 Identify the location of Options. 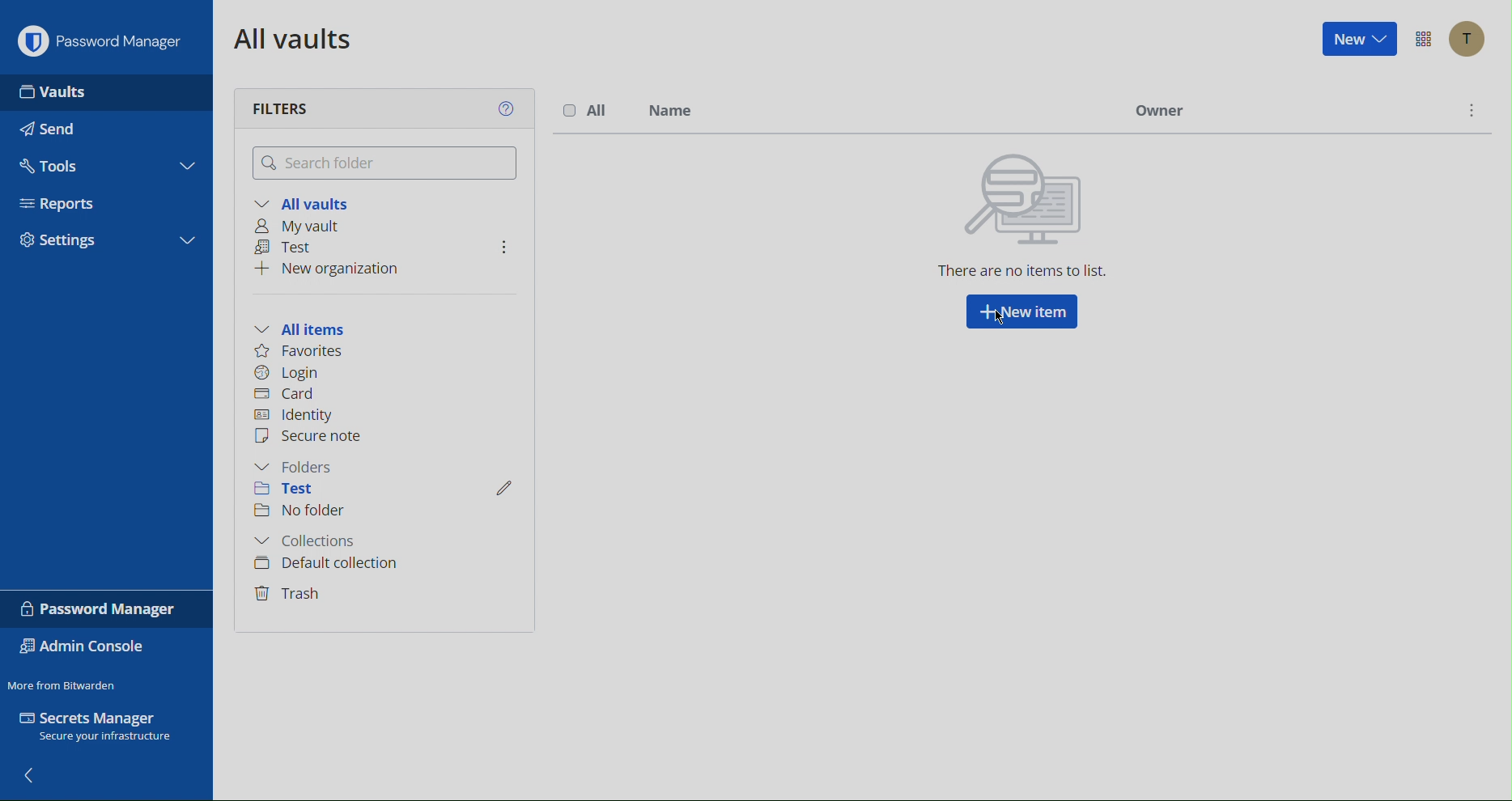
(1421, 37).